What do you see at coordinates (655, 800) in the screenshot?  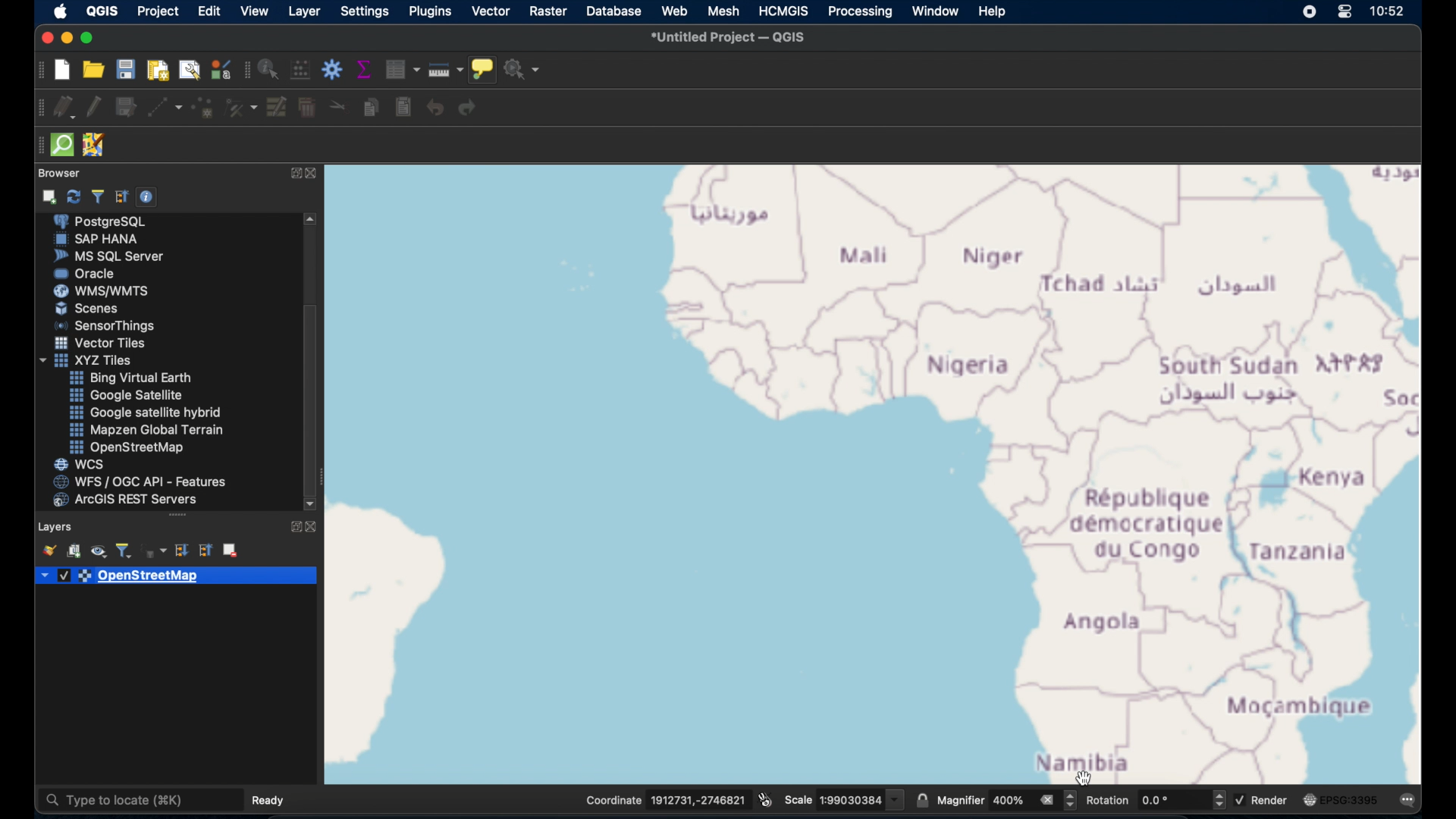 I see `Coordinate 1912731,-2746821` at bounding box center [655, 800].